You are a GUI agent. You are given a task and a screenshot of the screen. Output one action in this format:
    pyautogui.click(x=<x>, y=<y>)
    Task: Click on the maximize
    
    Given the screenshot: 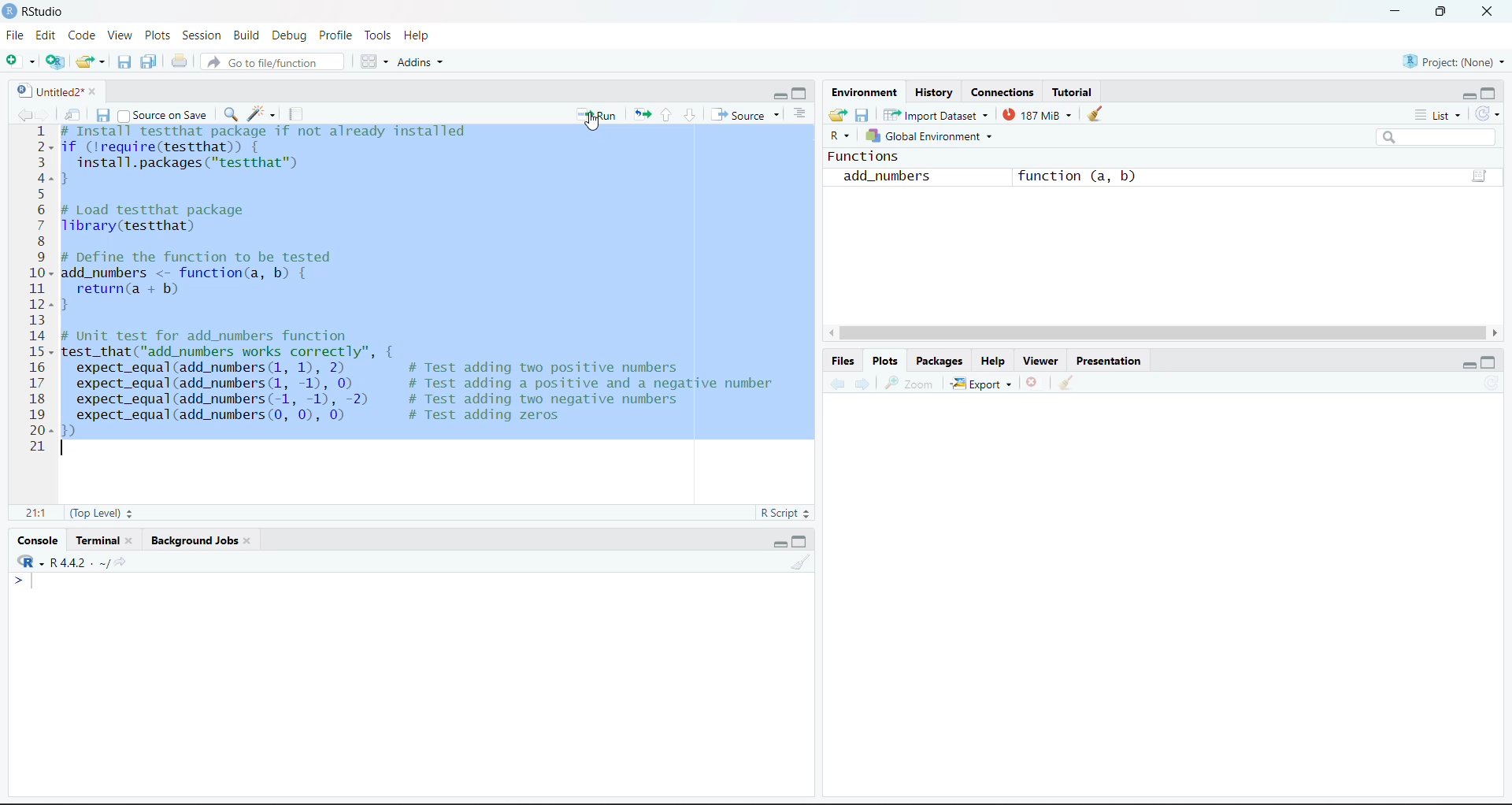 What is the action you would take?
    pyautogui.click(x=1444, y=12)
    